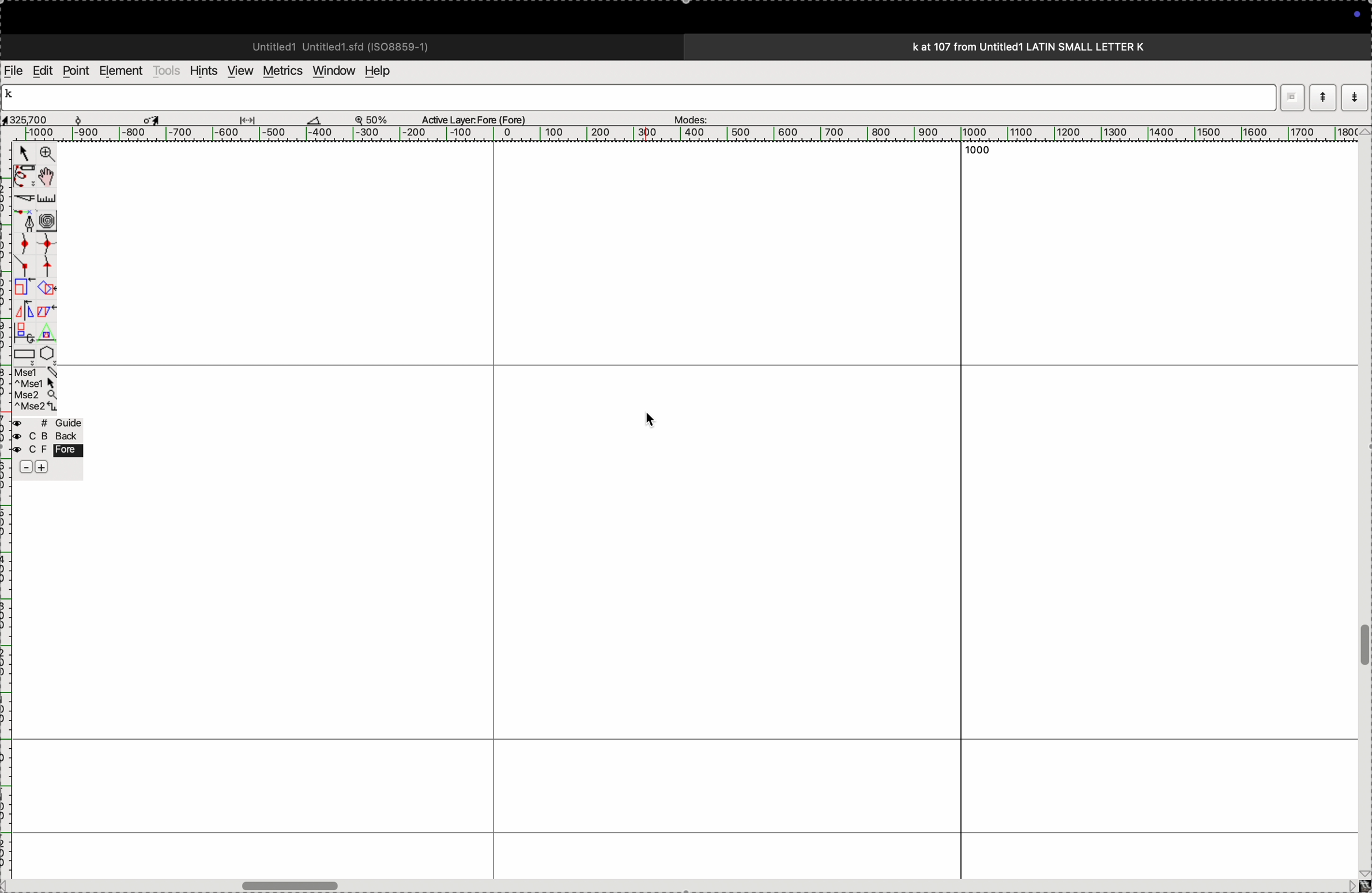  What do you see at coordinates (76, 71) in the screenshot?
I see `point` at bounding box center [76, 71].